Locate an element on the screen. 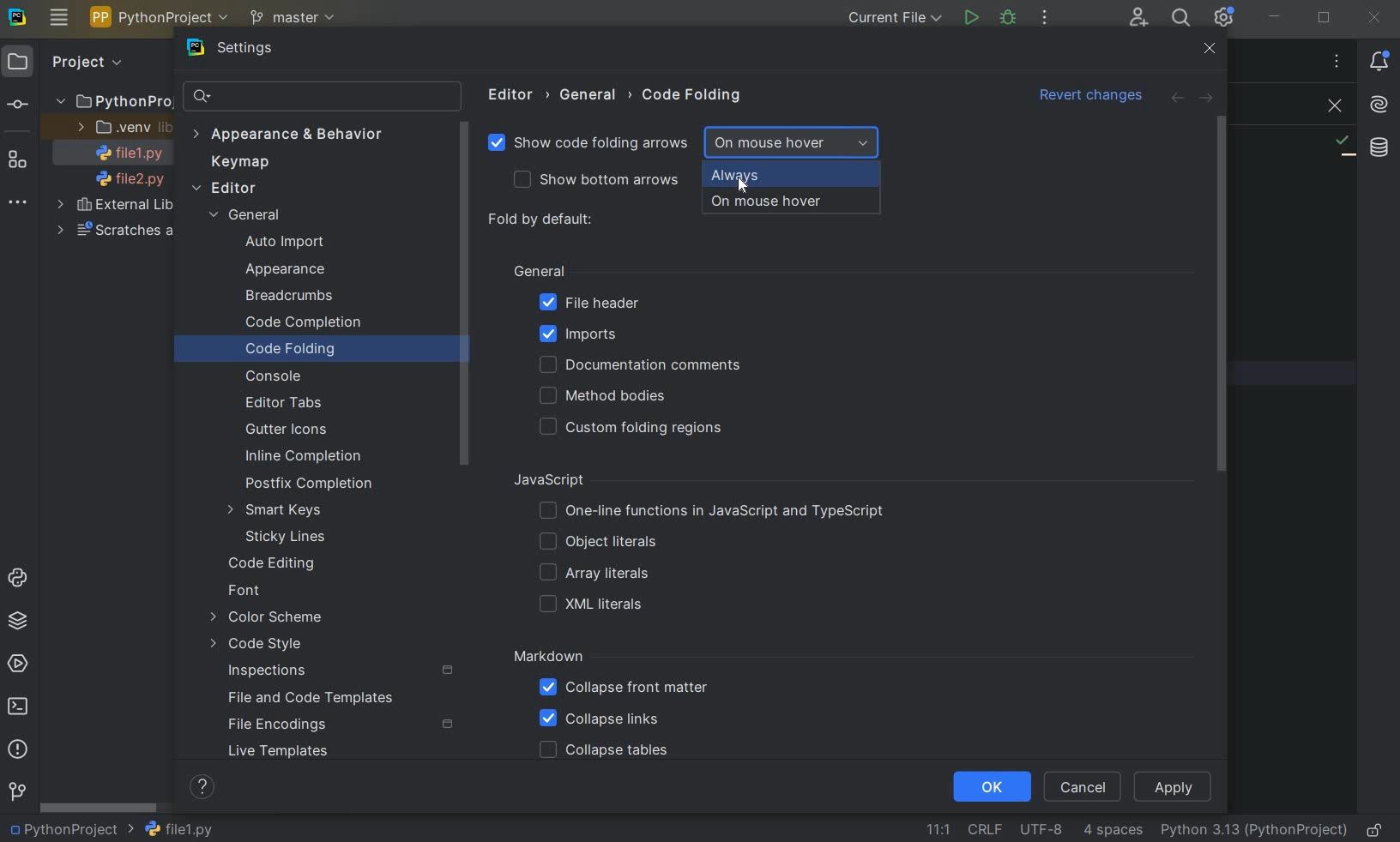 The height and width of the screenshot is (842, 1400). .VENV is located at coordinates (122, 128).